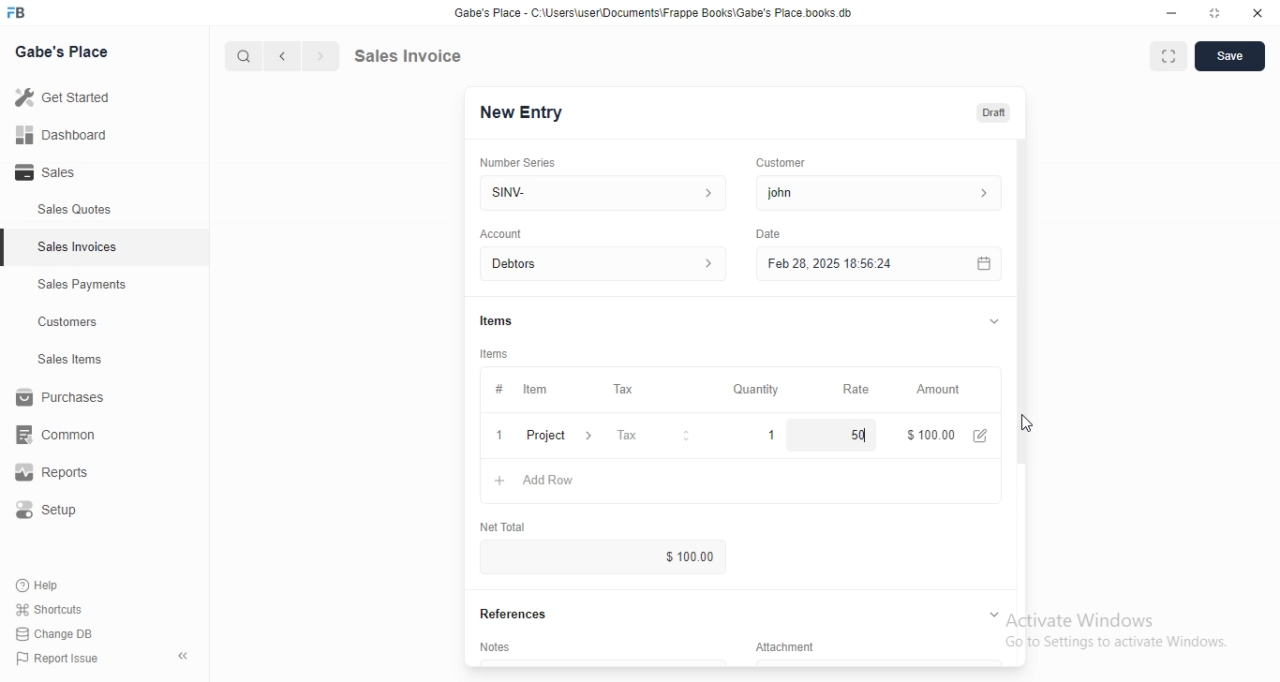  Describe the element at coordinates (57, 584) in the screenshot. I see `Help` at that location.